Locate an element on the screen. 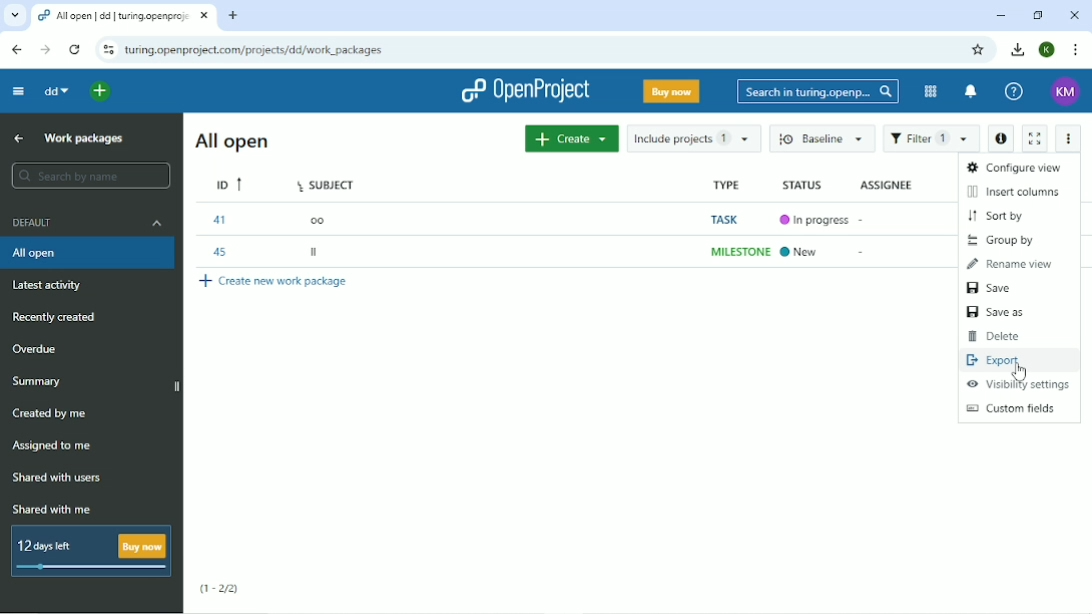 The height and width of the screenshot is (614, 1092). Buy now is located at coordinates (673, 91).